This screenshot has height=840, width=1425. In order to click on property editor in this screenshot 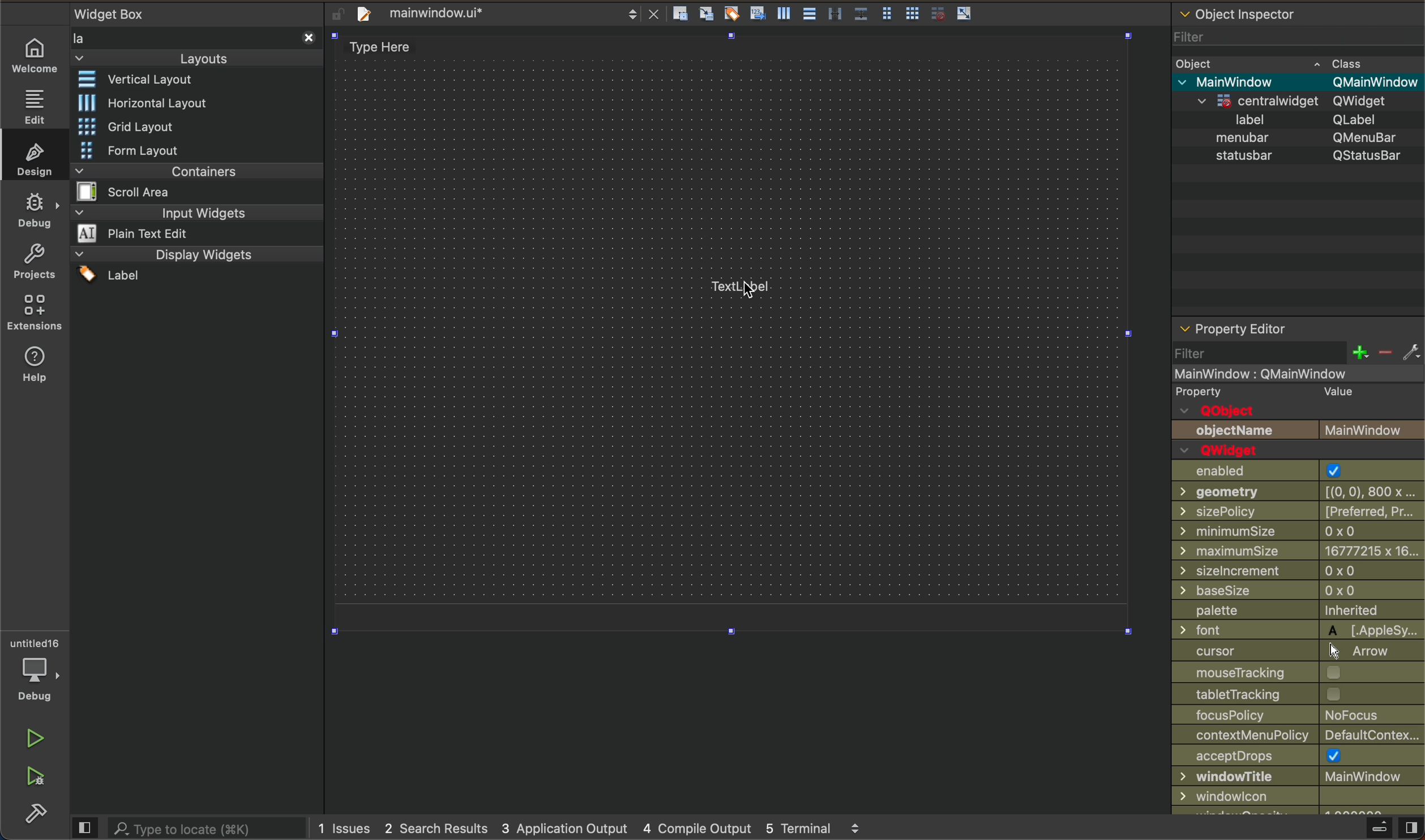, I will do `click(1298, 342)`.